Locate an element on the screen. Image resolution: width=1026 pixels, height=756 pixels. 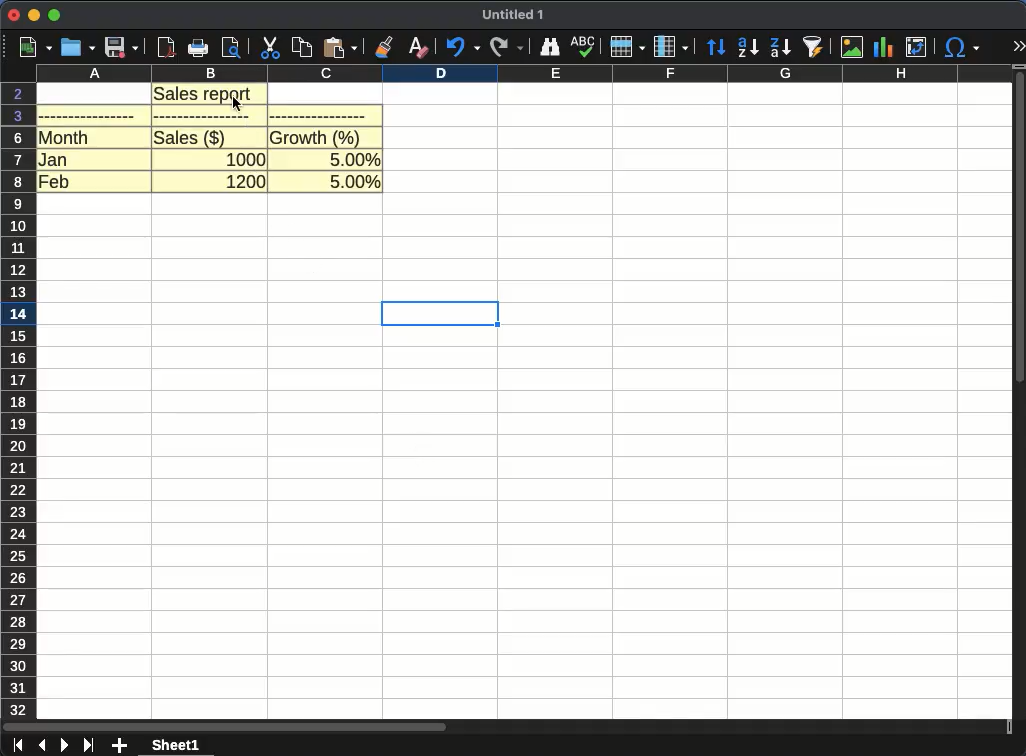
growth (%) is located at coordinates (317, 137).